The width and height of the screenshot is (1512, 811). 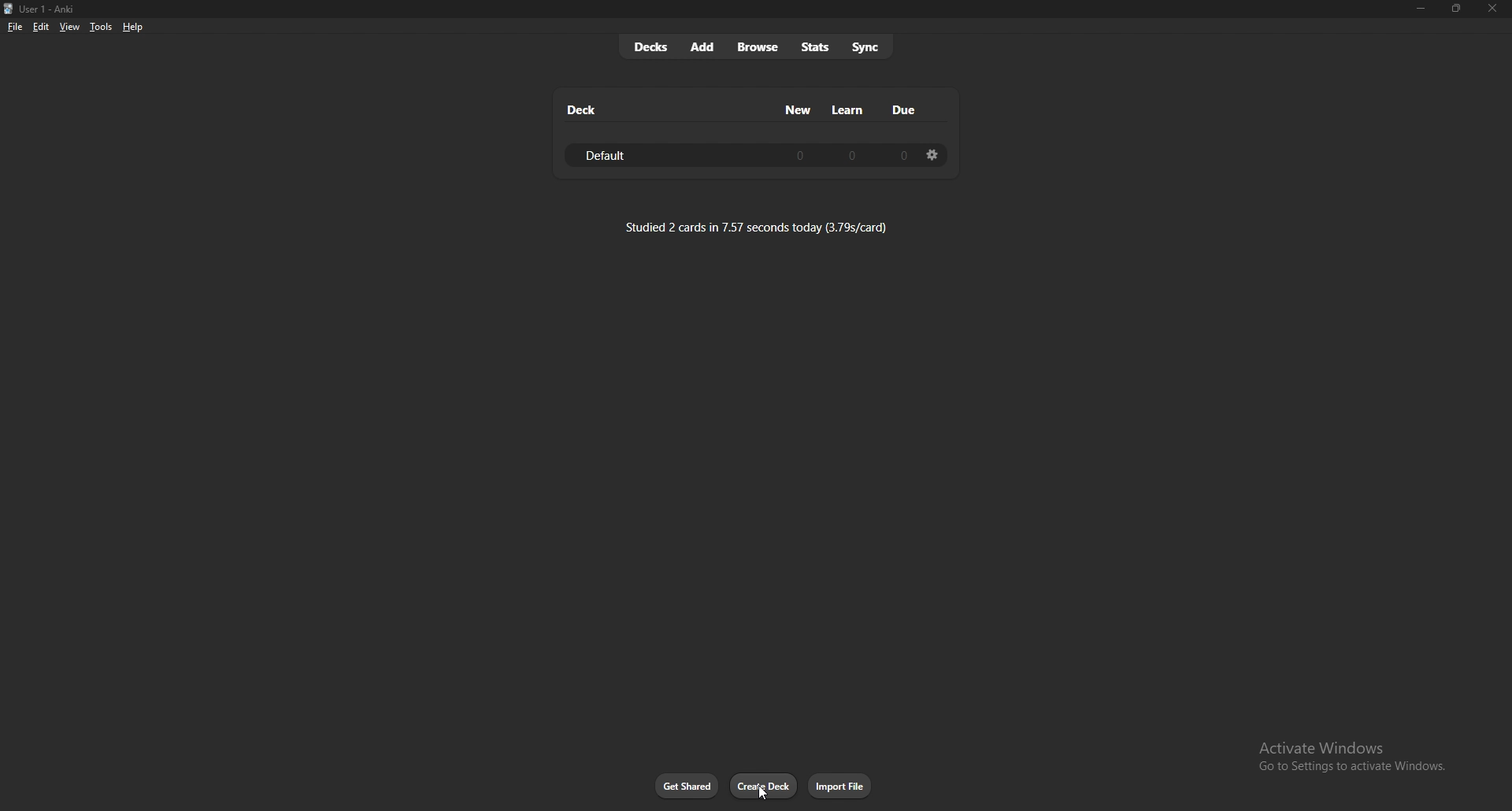 I want to click on add, so click(x=703, y=46).